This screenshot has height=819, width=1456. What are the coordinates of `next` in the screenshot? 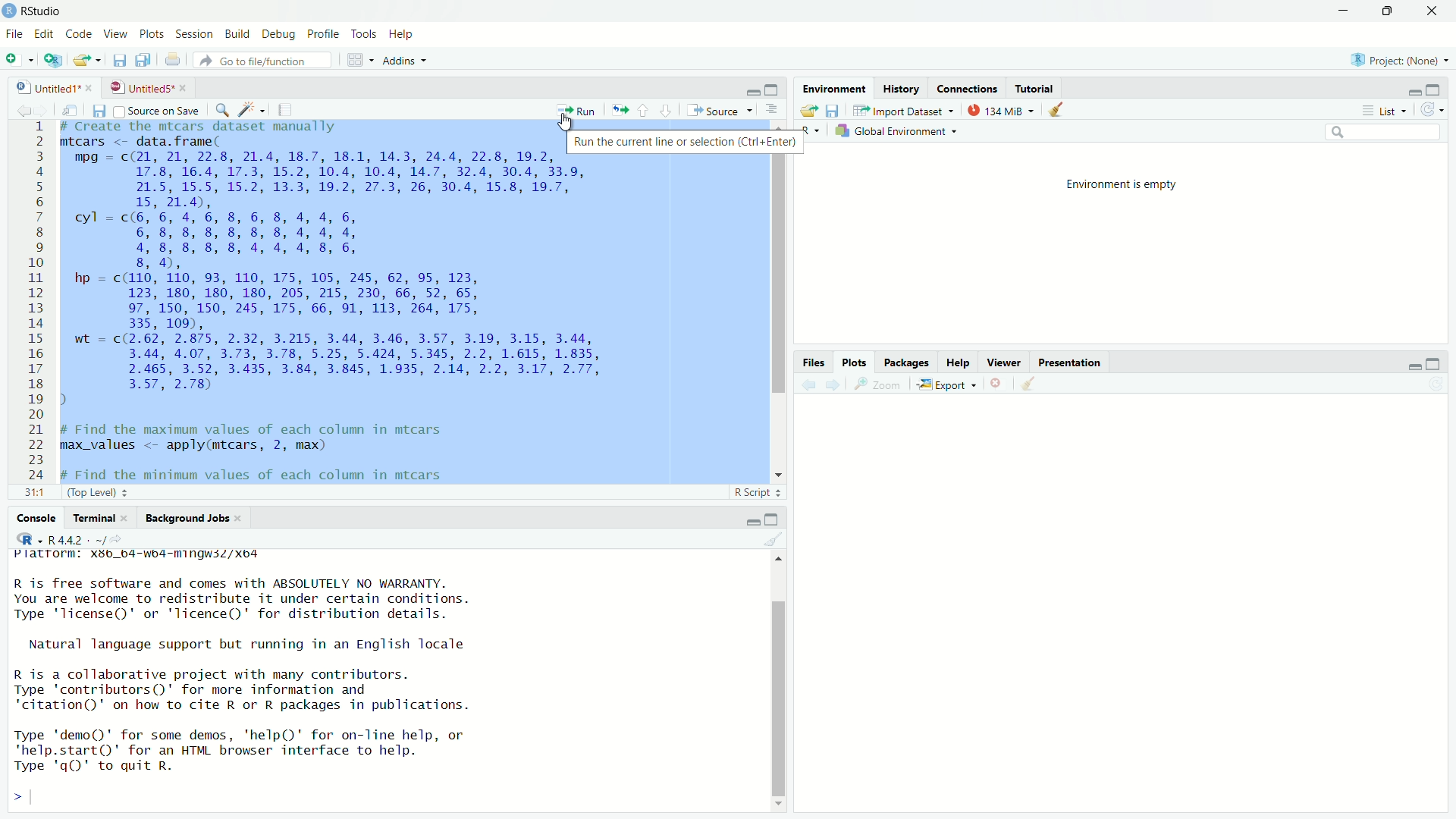 It's located at (836, 384).